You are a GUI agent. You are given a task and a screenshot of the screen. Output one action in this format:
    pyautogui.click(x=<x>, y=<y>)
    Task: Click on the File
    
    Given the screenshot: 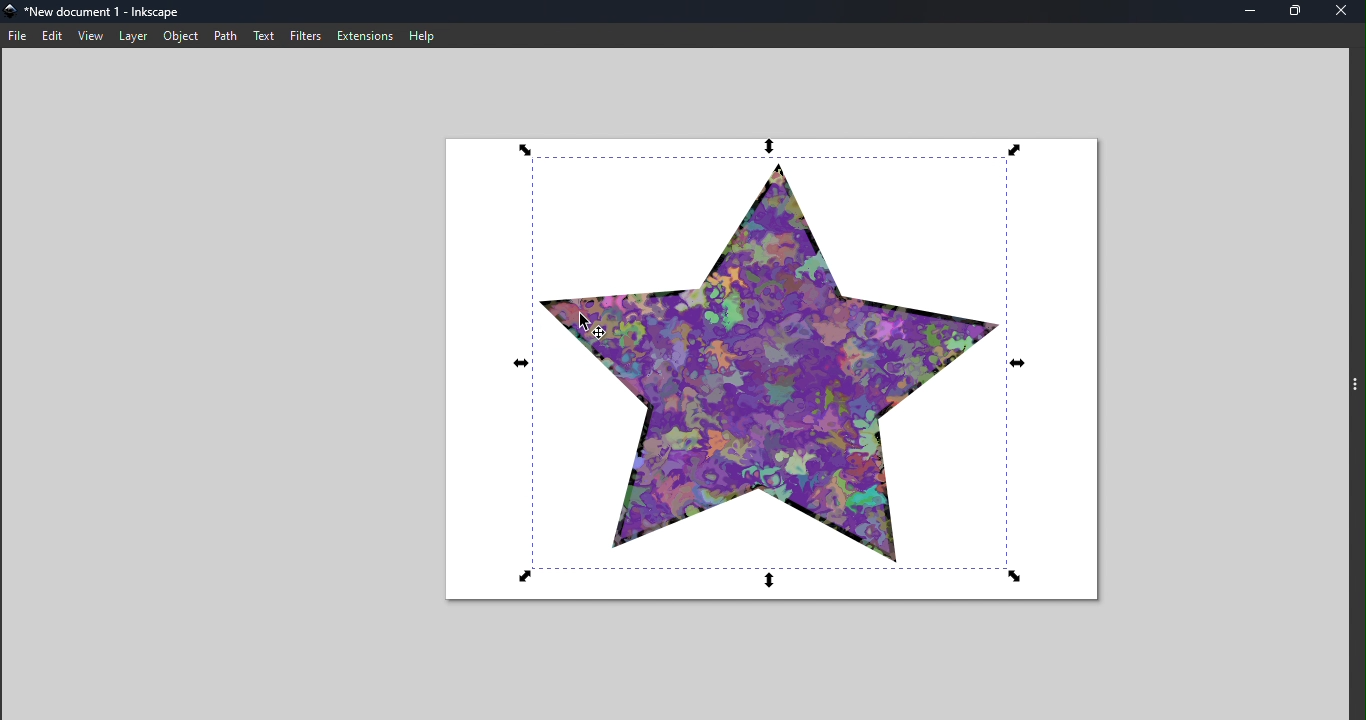 What is the action you would take?
    pyautogui.click(x=17, y=36)
    